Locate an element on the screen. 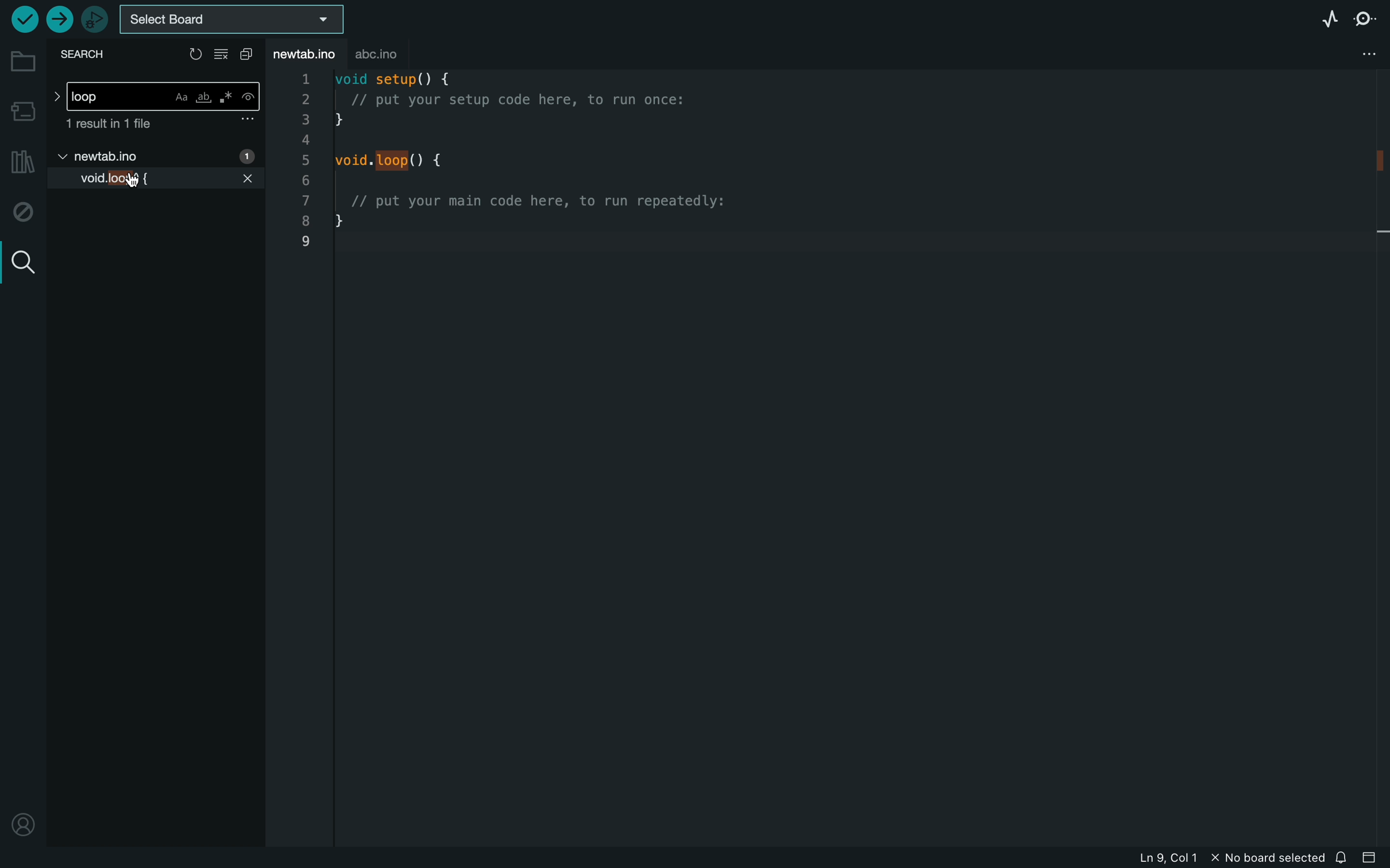 This screenshot has height=868, width=1390. library manager is located at coordinates (22, 162).